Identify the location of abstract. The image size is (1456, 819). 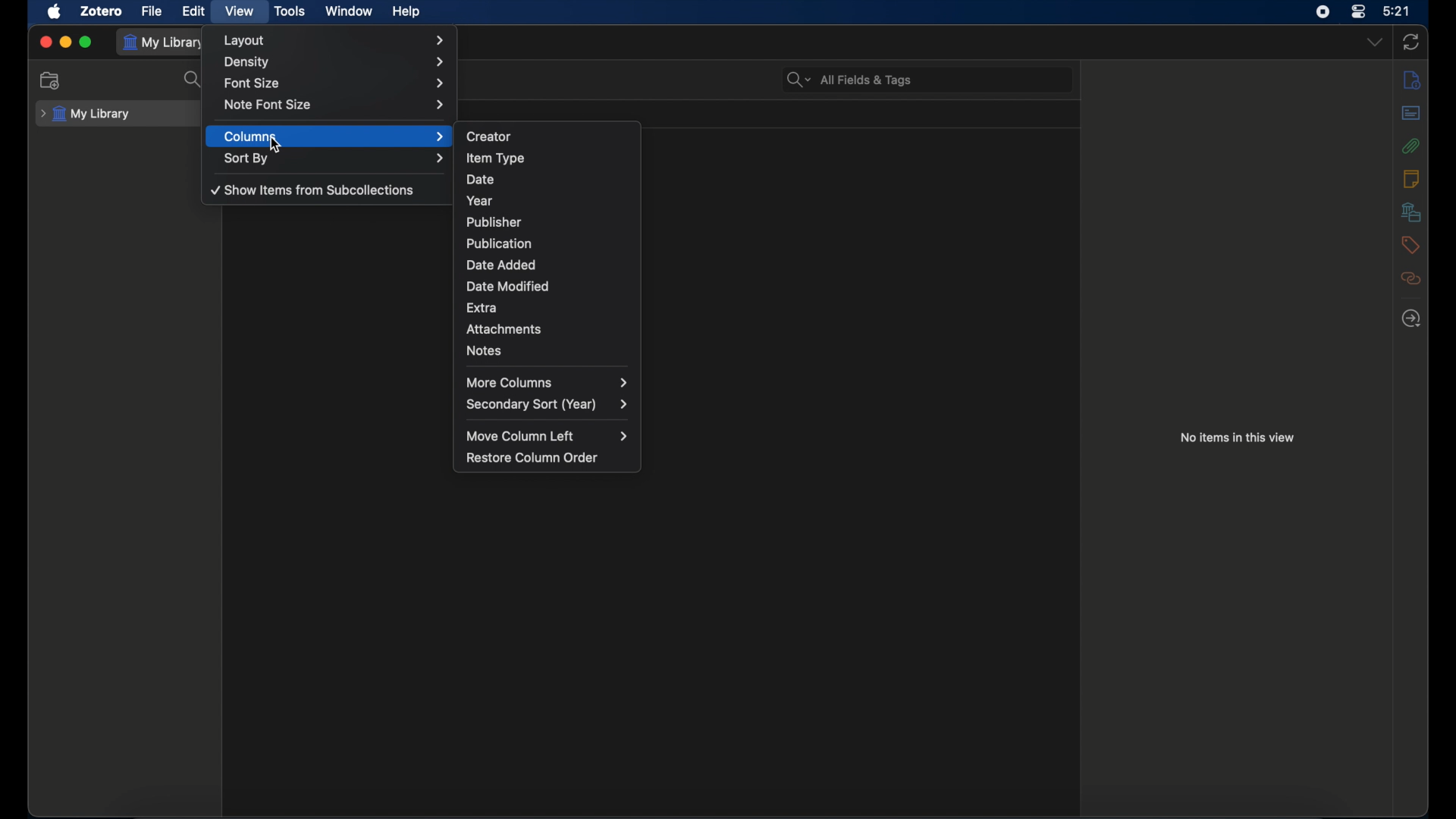
(1410, 112).